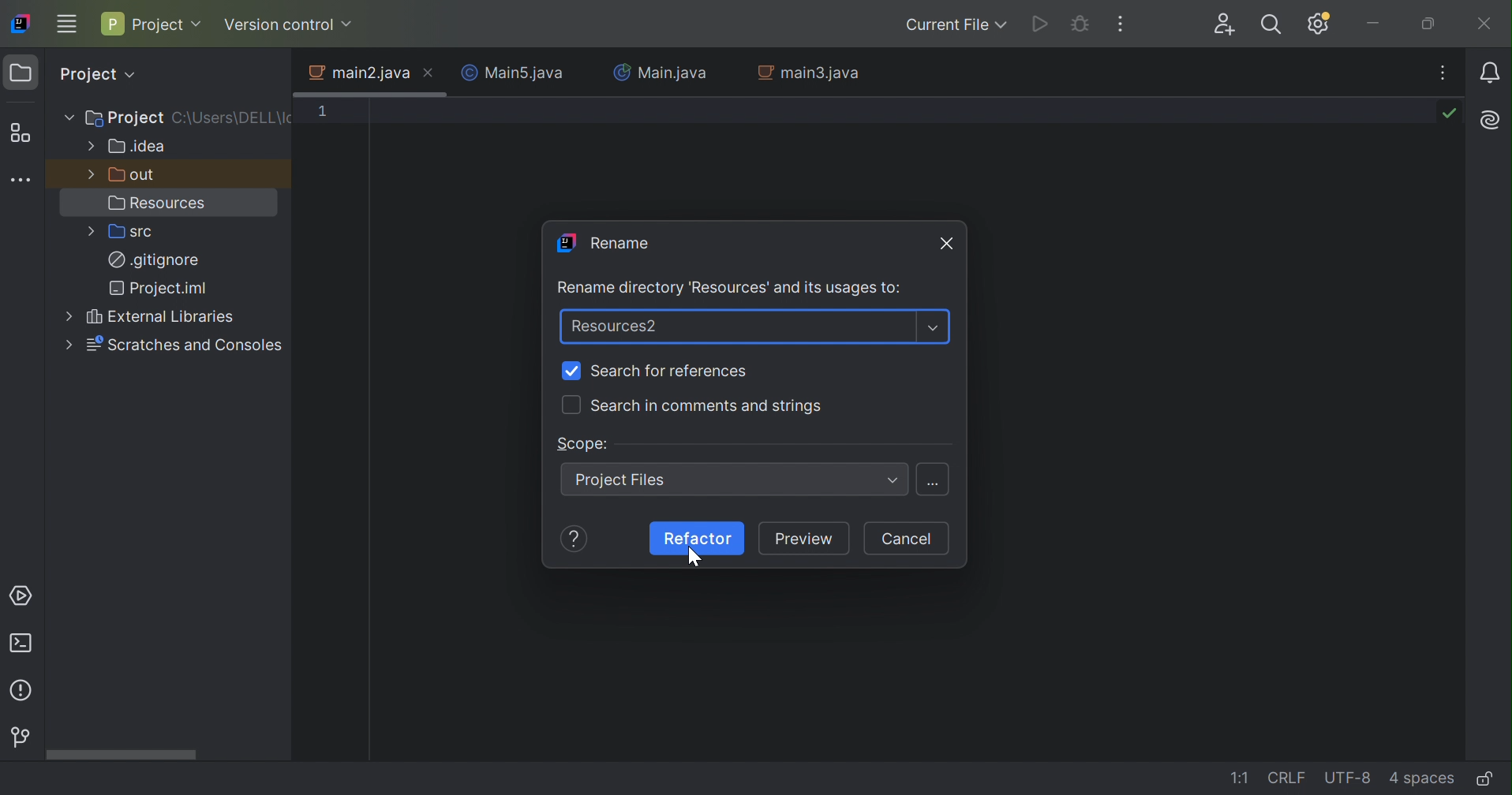 Image resolution: width=1512 pixels, height=795 pixels. What do you see at coordinates (694, 555) in the screenshot?
I see `Cursor` at bounding box center [694, 555].